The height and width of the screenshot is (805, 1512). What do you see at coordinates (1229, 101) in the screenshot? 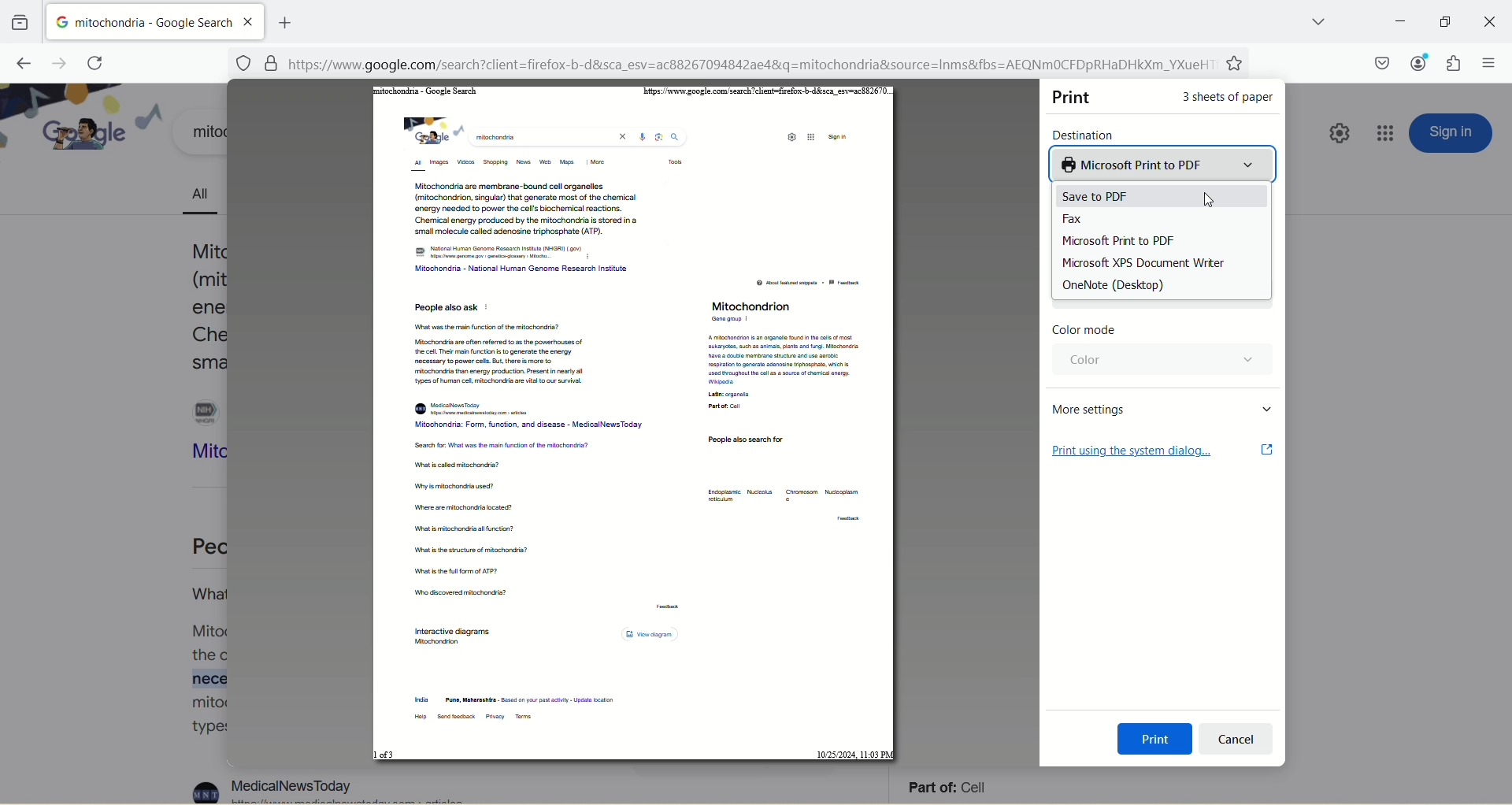
I see `3 sheets of paper` at bounding box center [1229, 101].